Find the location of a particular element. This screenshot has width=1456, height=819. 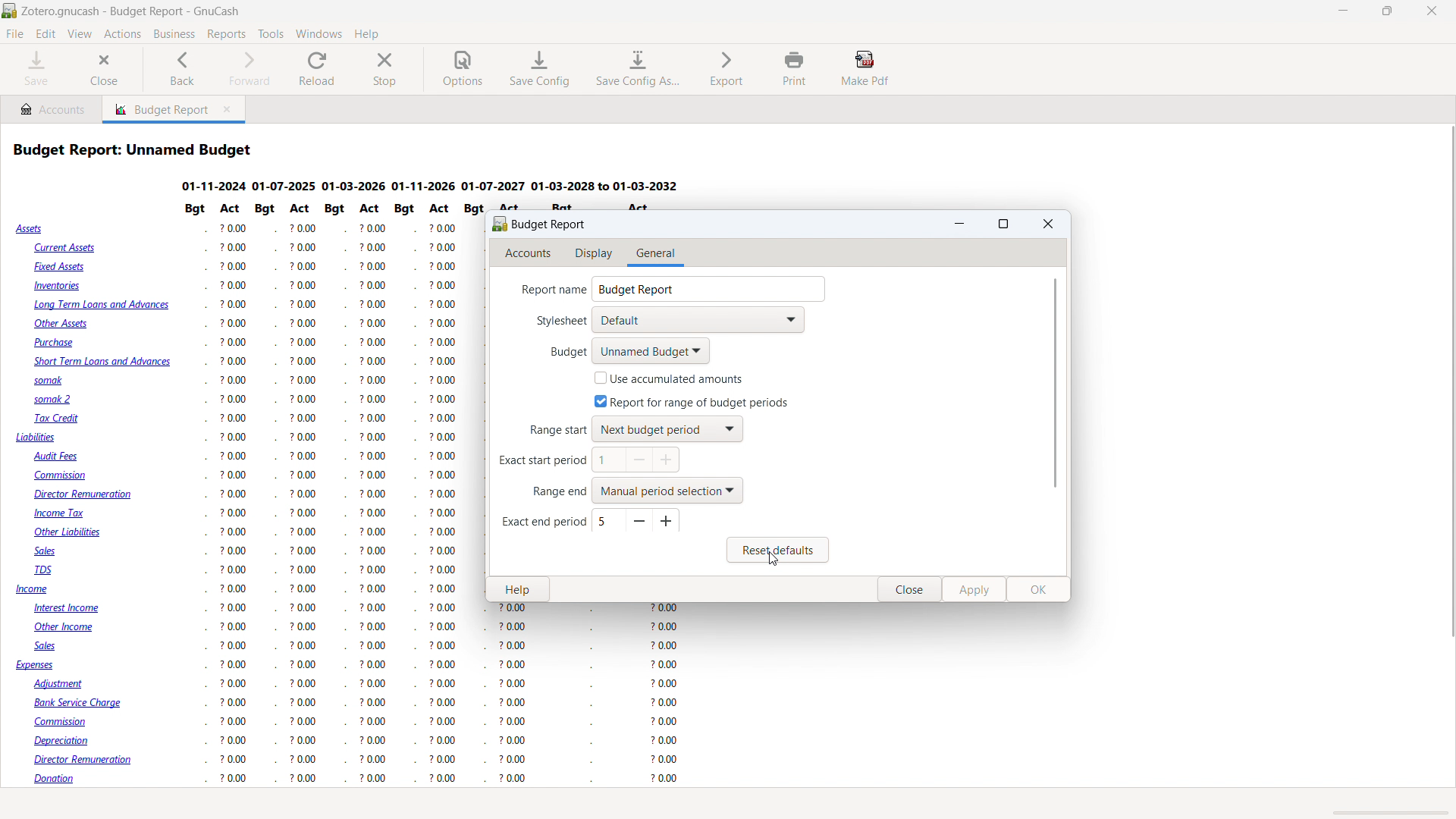

bavk is located at coordinates (183, 69).